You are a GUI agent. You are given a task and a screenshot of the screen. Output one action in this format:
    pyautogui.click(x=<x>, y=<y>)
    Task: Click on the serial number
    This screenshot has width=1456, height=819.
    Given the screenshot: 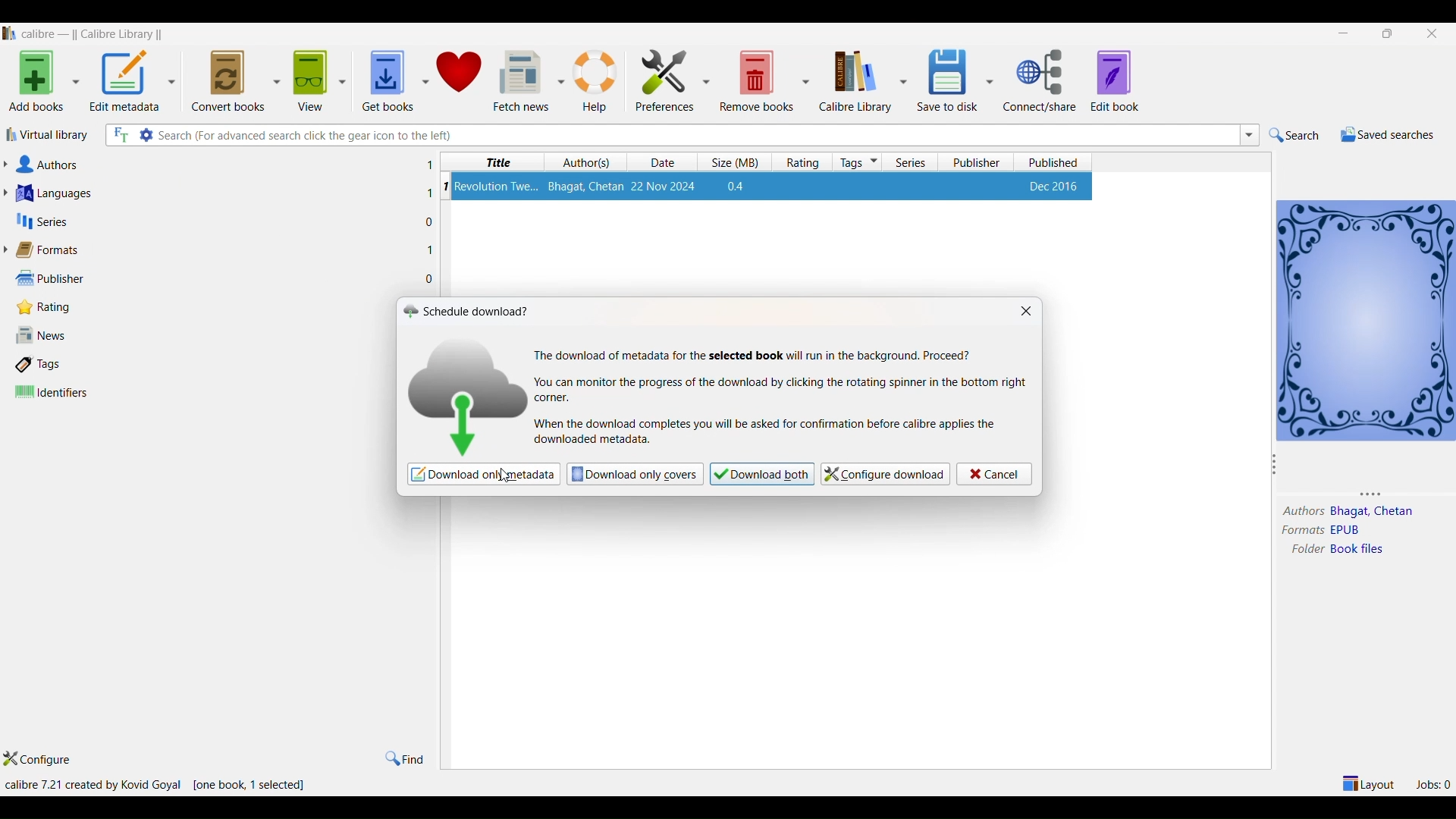 What is the action you would take?
    pyautogui.click(x=444, y=186)
    